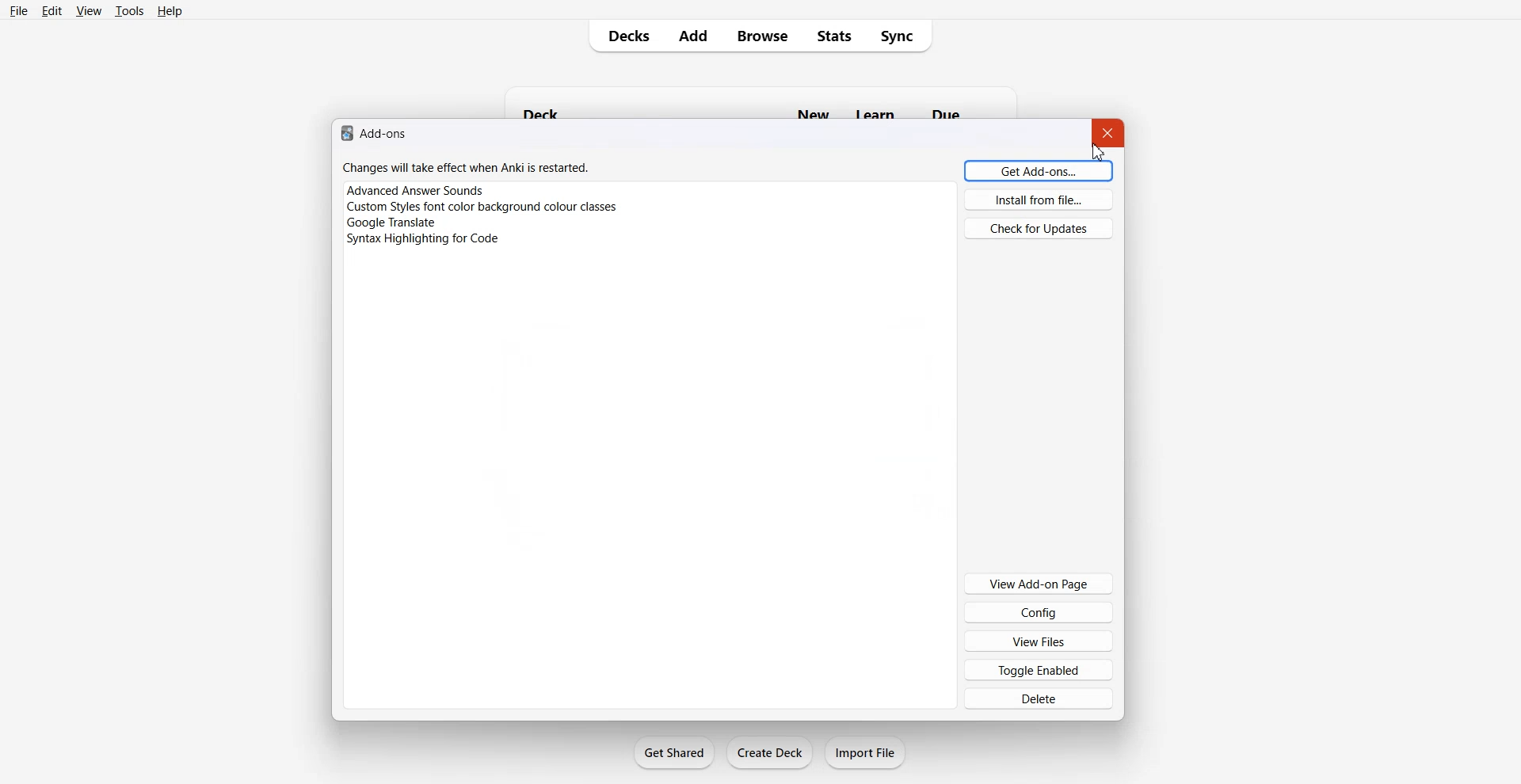  I want to click on due, so click(948, 112).